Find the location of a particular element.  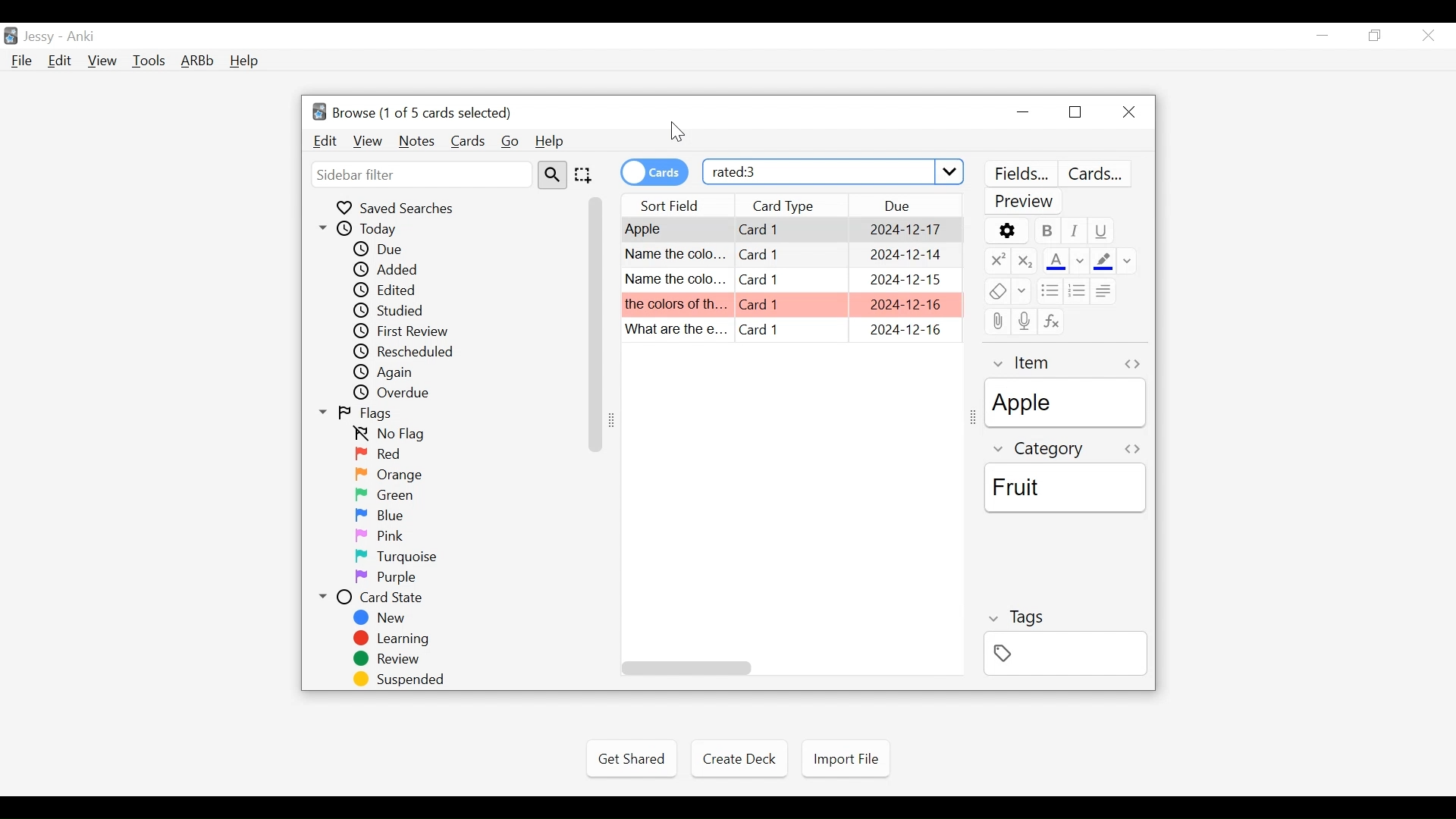

Bold is located at coordinates (1049, 231).